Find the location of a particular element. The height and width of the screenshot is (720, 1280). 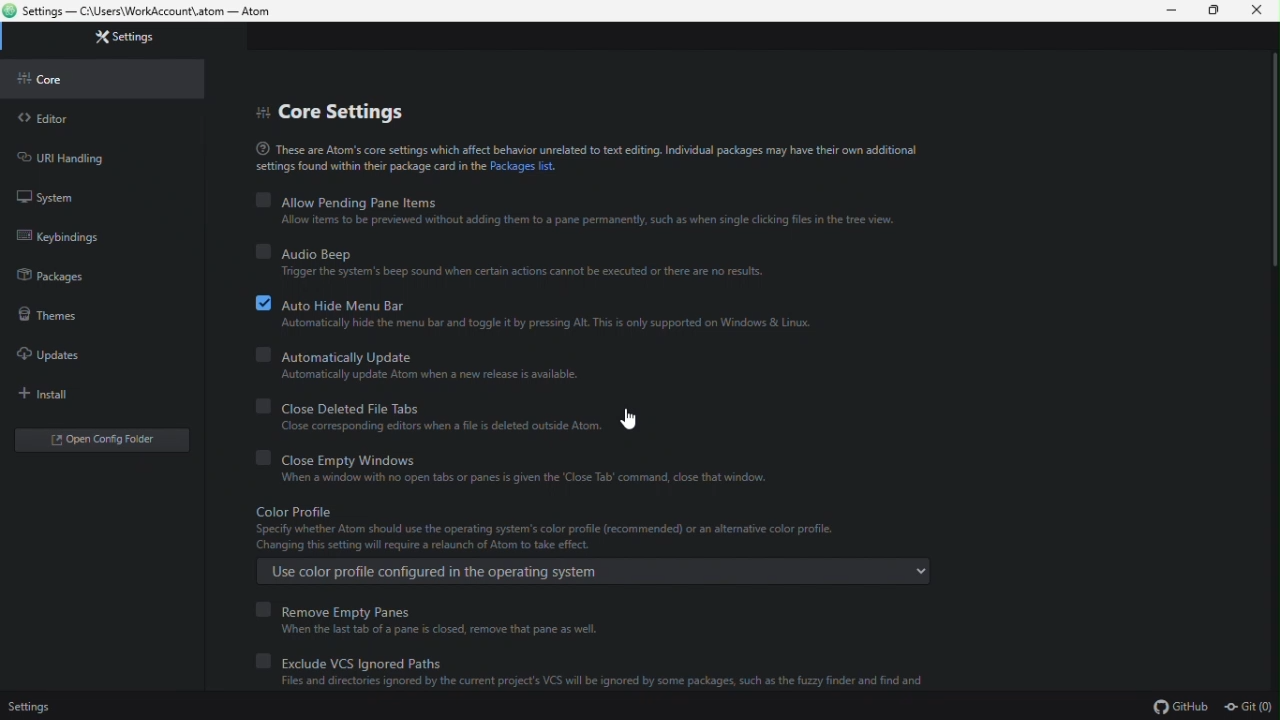

Auto hide menu bar is located at coordinates (327, 302).